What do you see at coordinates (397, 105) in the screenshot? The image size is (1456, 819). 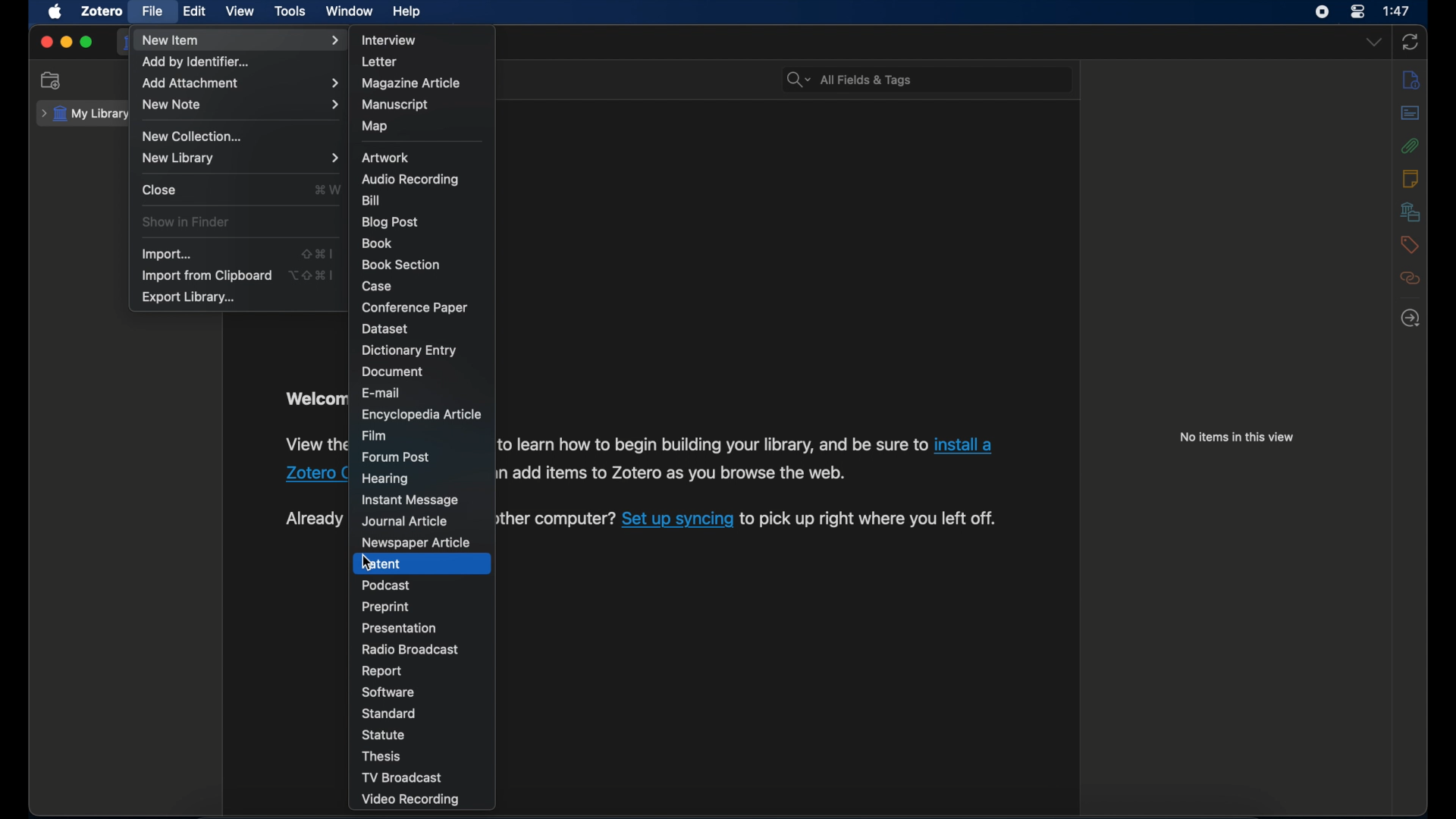 I see `manuscript` at bounding box center [397, 105].